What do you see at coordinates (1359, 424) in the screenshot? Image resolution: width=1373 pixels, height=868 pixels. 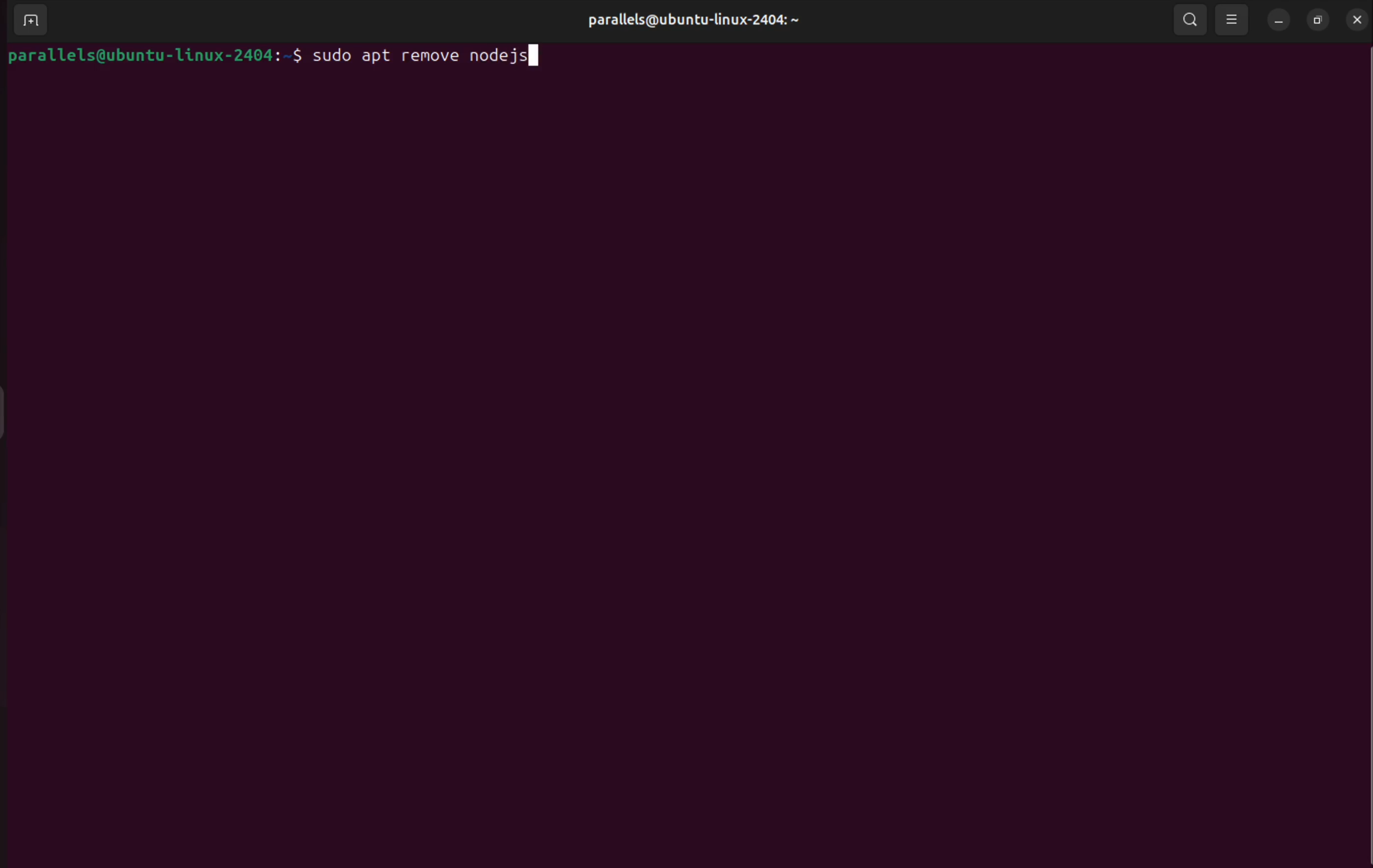 I see `Scrollbar` at bounding box center [1359, 424].